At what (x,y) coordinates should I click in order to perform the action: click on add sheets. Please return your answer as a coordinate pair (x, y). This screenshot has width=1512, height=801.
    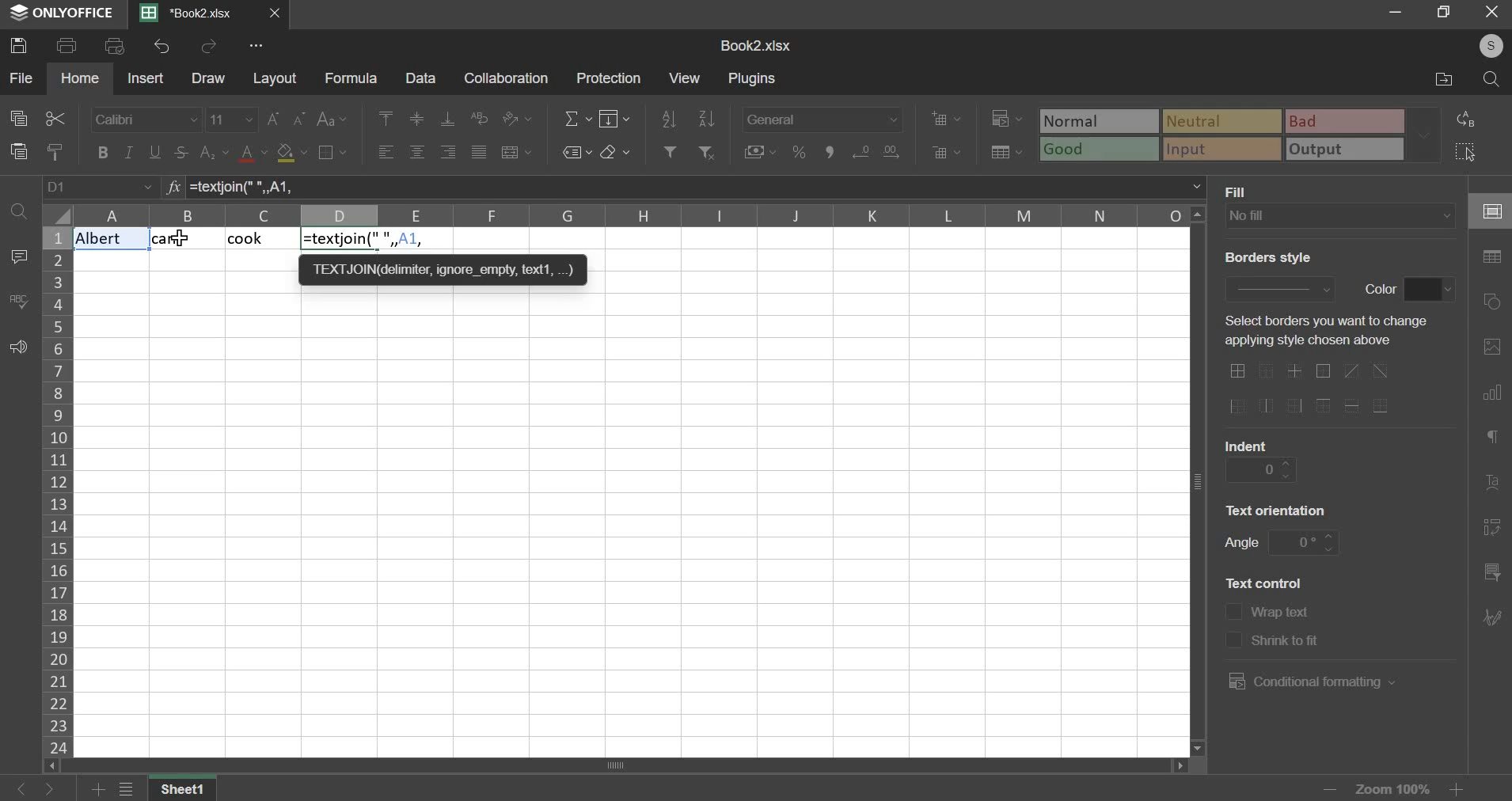
    Looking at the image, I should click on (98, 790).